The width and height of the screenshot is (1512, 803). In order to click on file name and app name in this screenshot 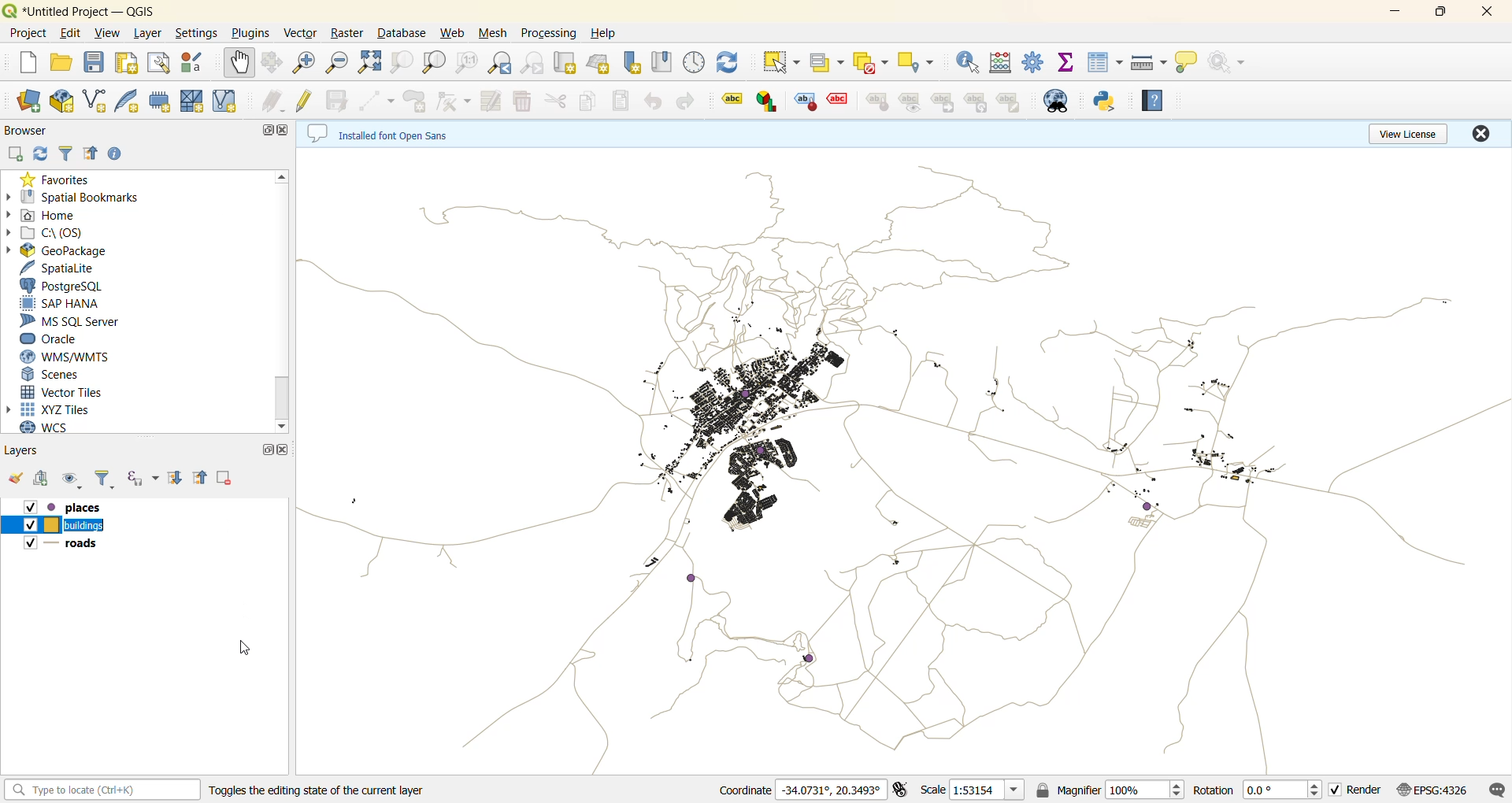, I will do `click(91, 10)`.